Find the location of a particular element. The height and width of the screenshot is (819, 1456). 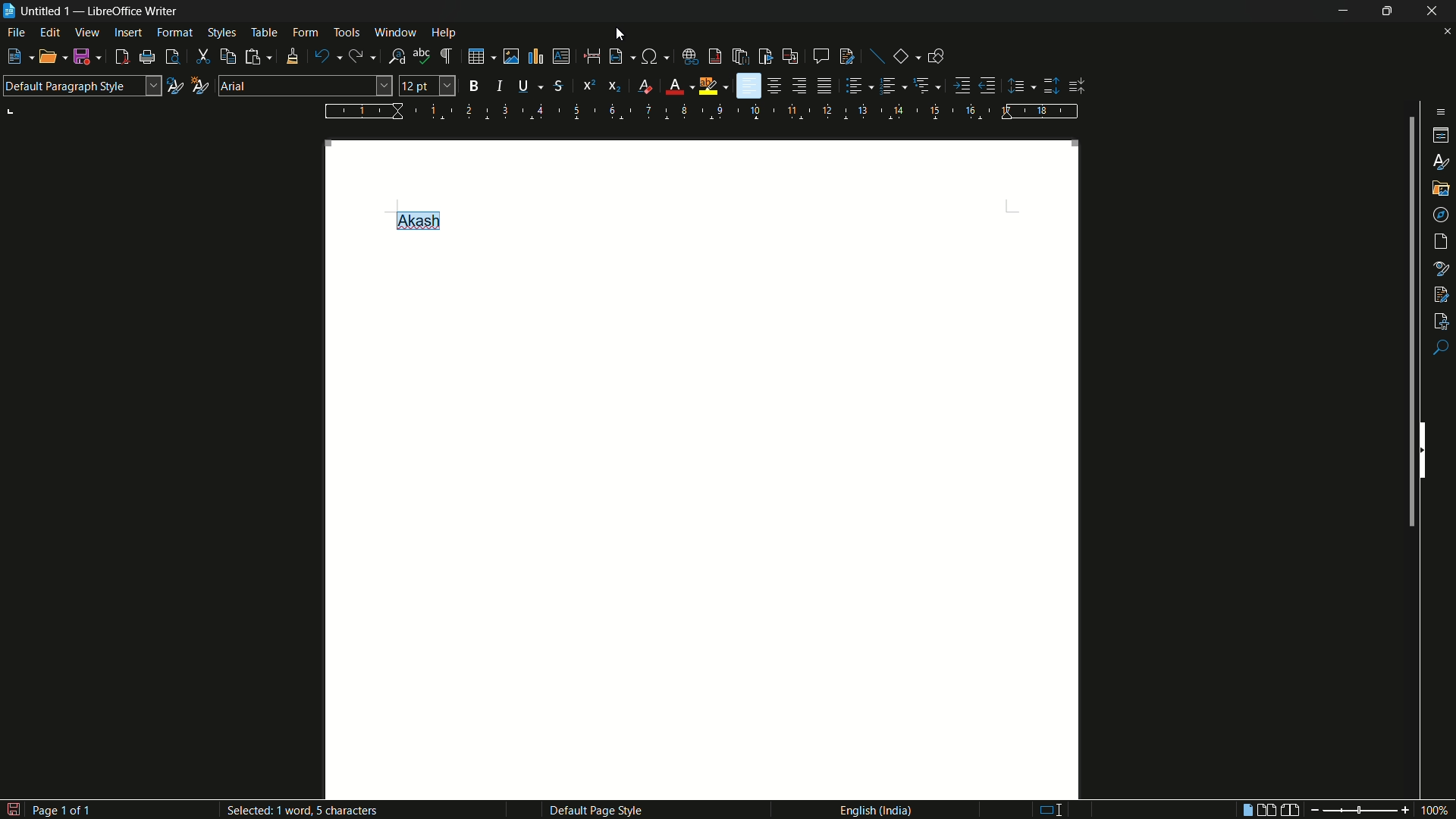

align right is located at coordinates (799, 86).